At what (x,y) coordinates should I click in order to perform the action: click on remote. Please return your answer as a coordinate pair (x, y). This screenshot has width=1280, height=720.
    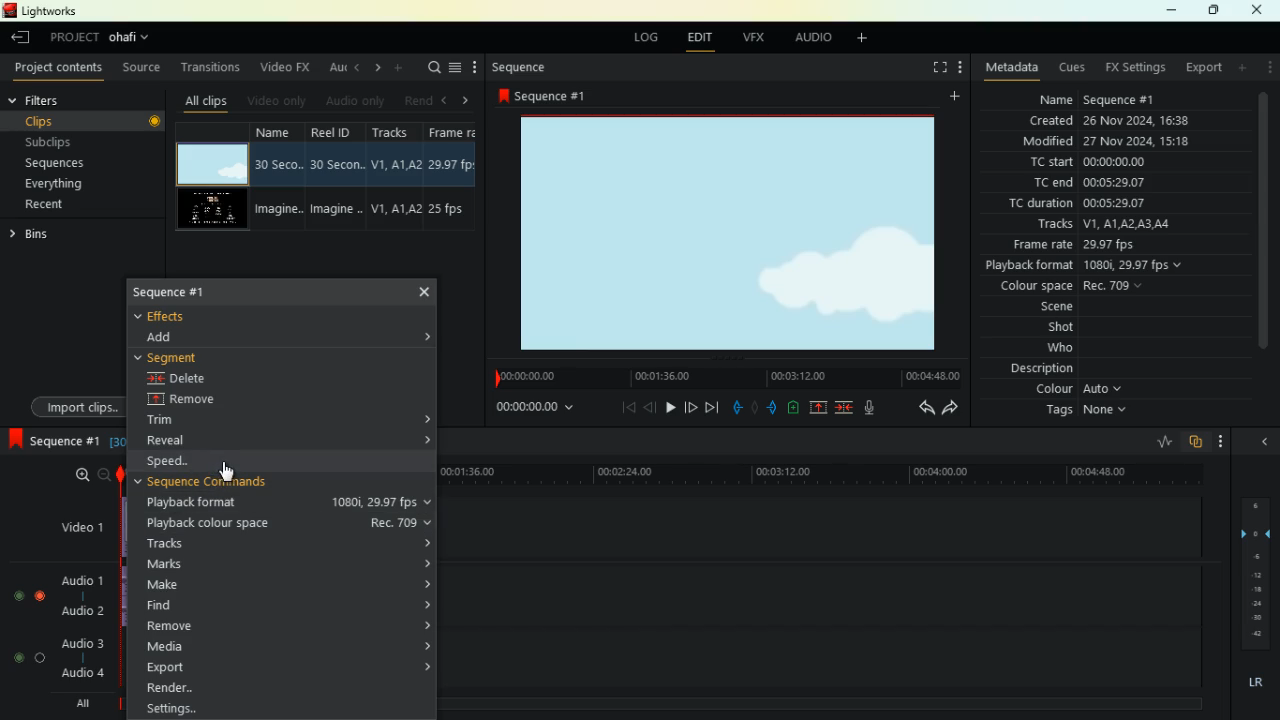
    Looking at the image, I should click on (188, 399).